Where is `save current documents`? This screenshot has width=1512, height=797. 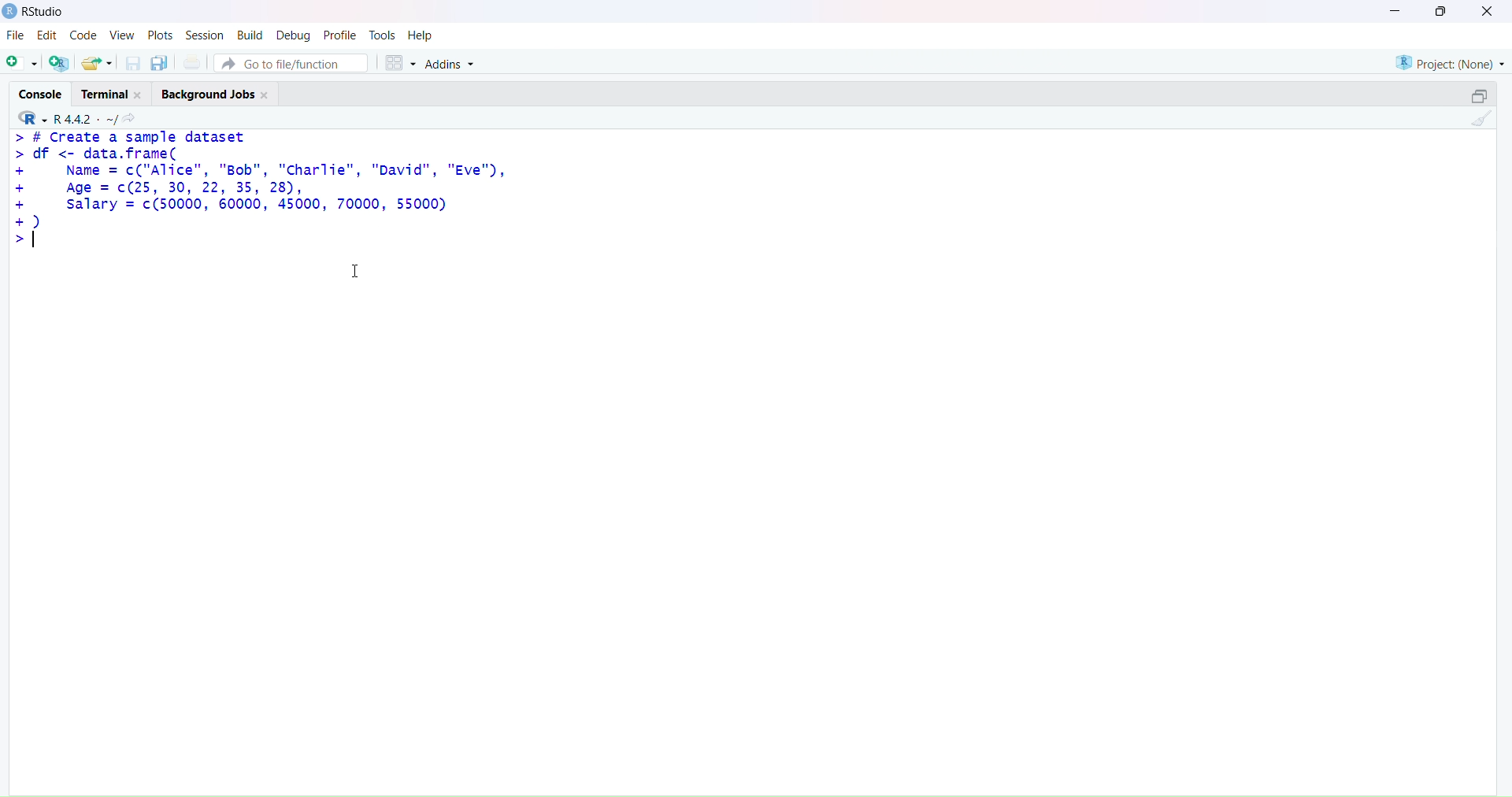 save current documents is located at coordinates (134, 64).